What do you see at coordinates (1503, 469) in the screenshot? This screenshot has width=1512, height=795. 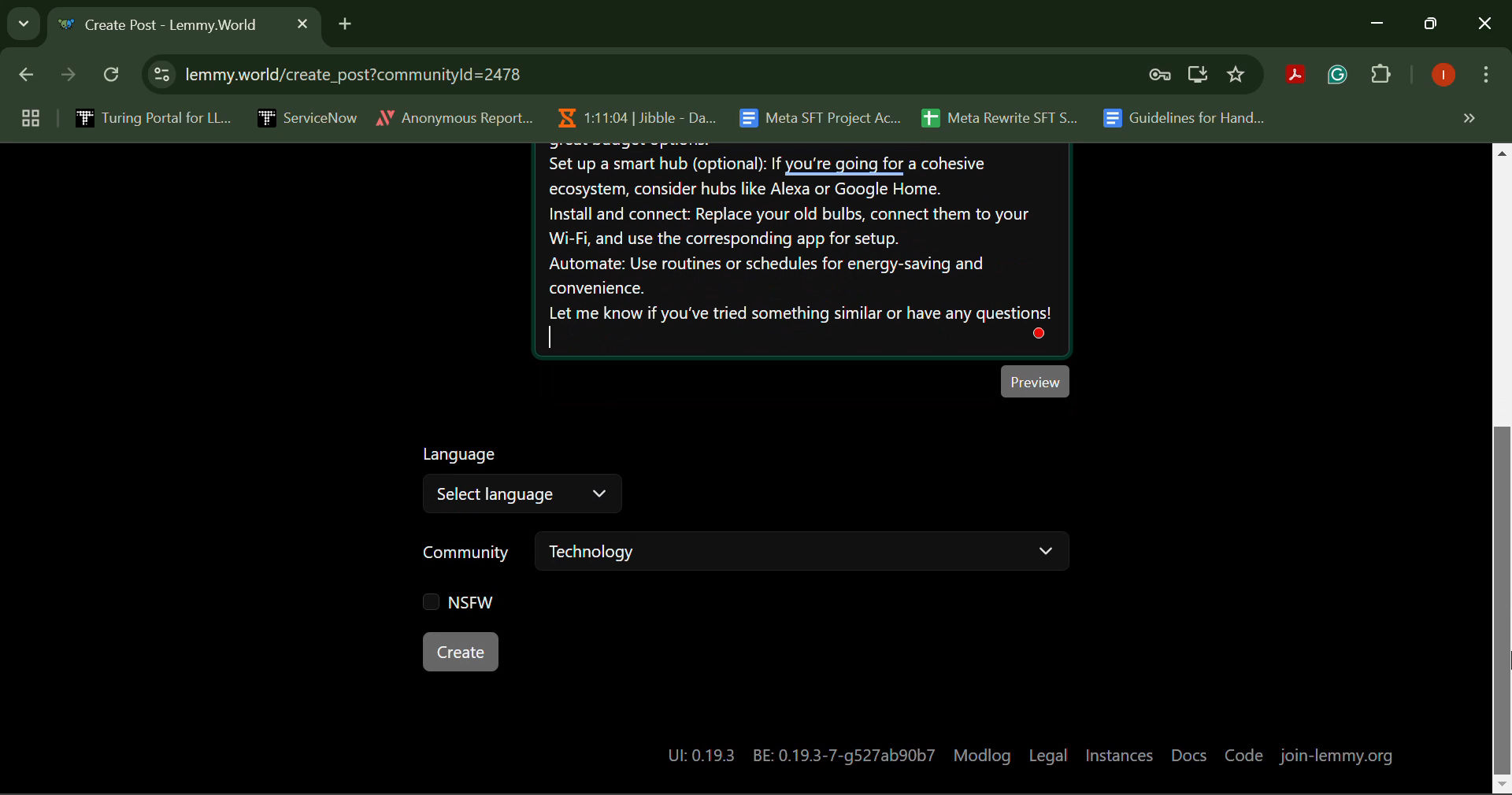 I see `Vertical Scroll Bar` at bounding box center [1503, 469].